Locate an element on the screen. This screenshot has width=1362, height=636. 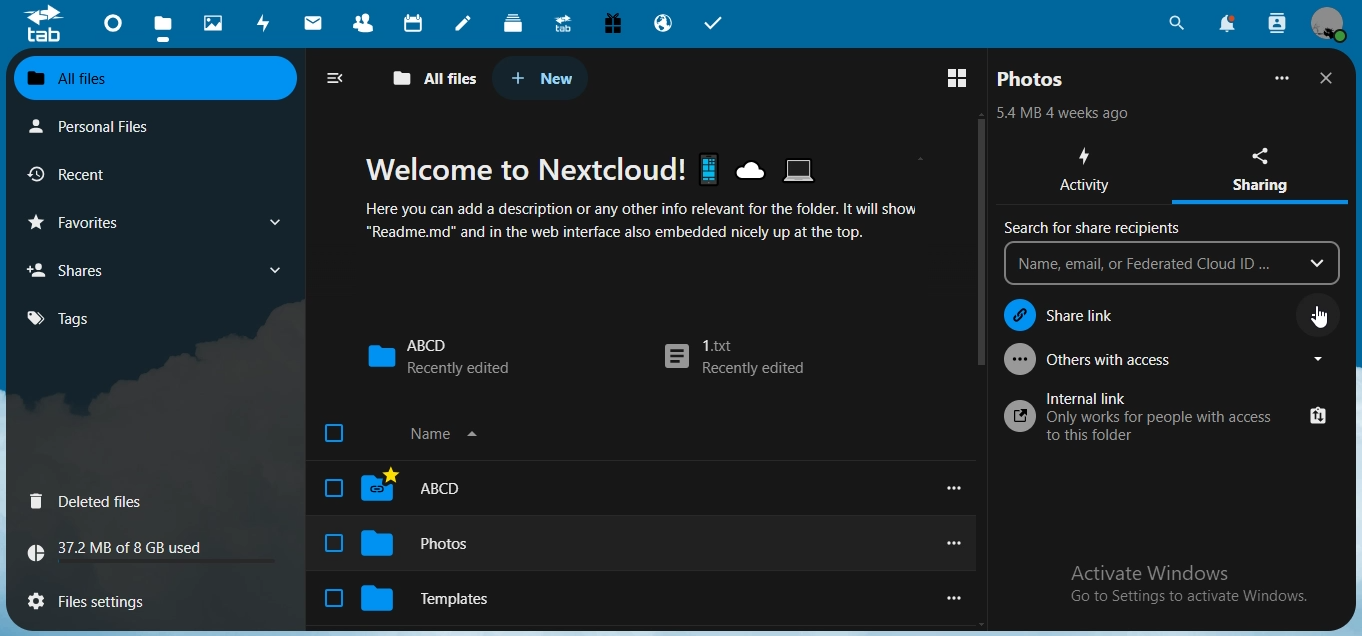
Photos is located at coordinates (432, 543).